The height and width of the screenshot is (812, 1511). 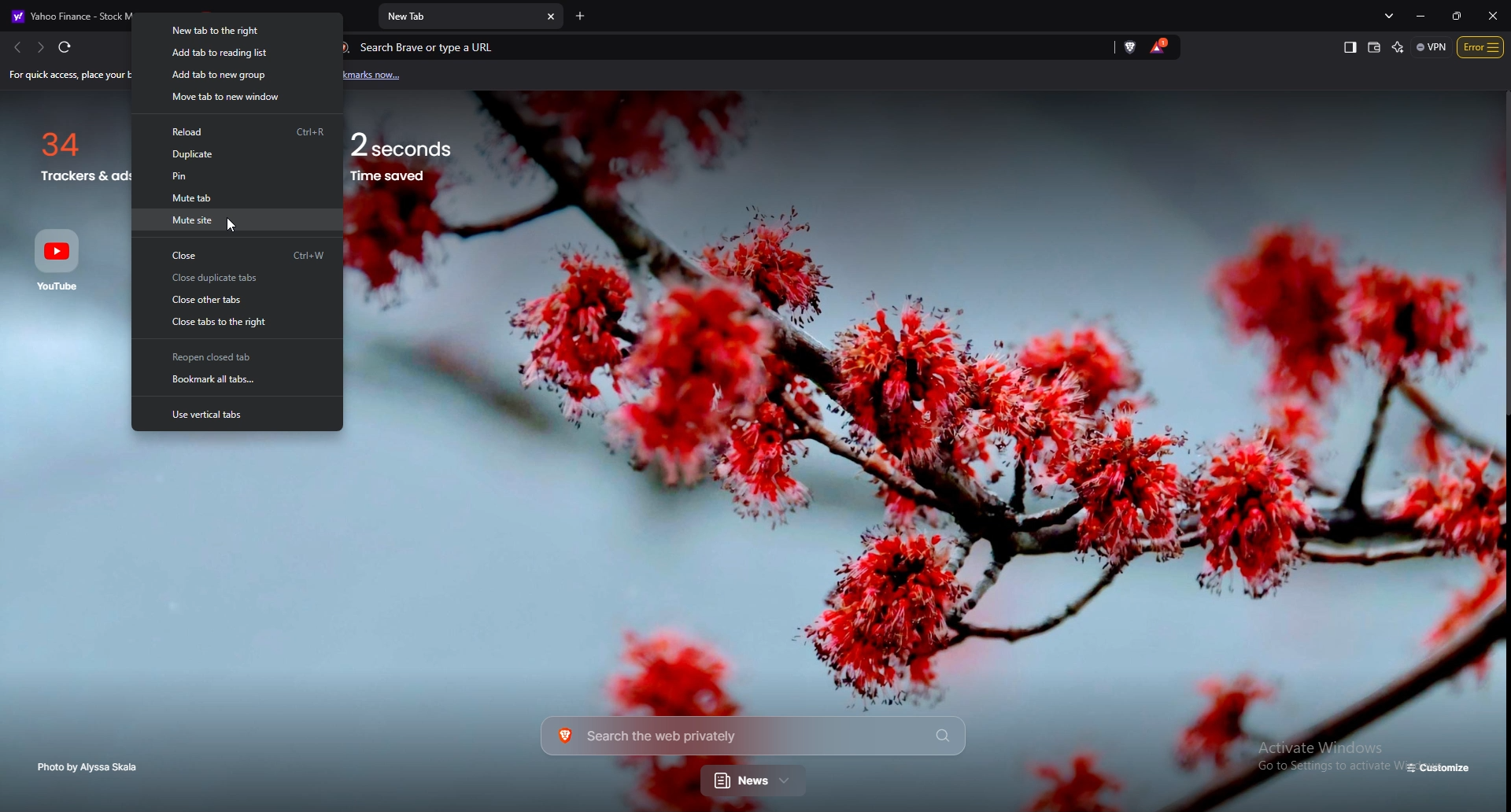 What do you see at coordinates (235, 279) in the screenshot?
I see `close duplicate tabs` at bounding box center [235, 279].